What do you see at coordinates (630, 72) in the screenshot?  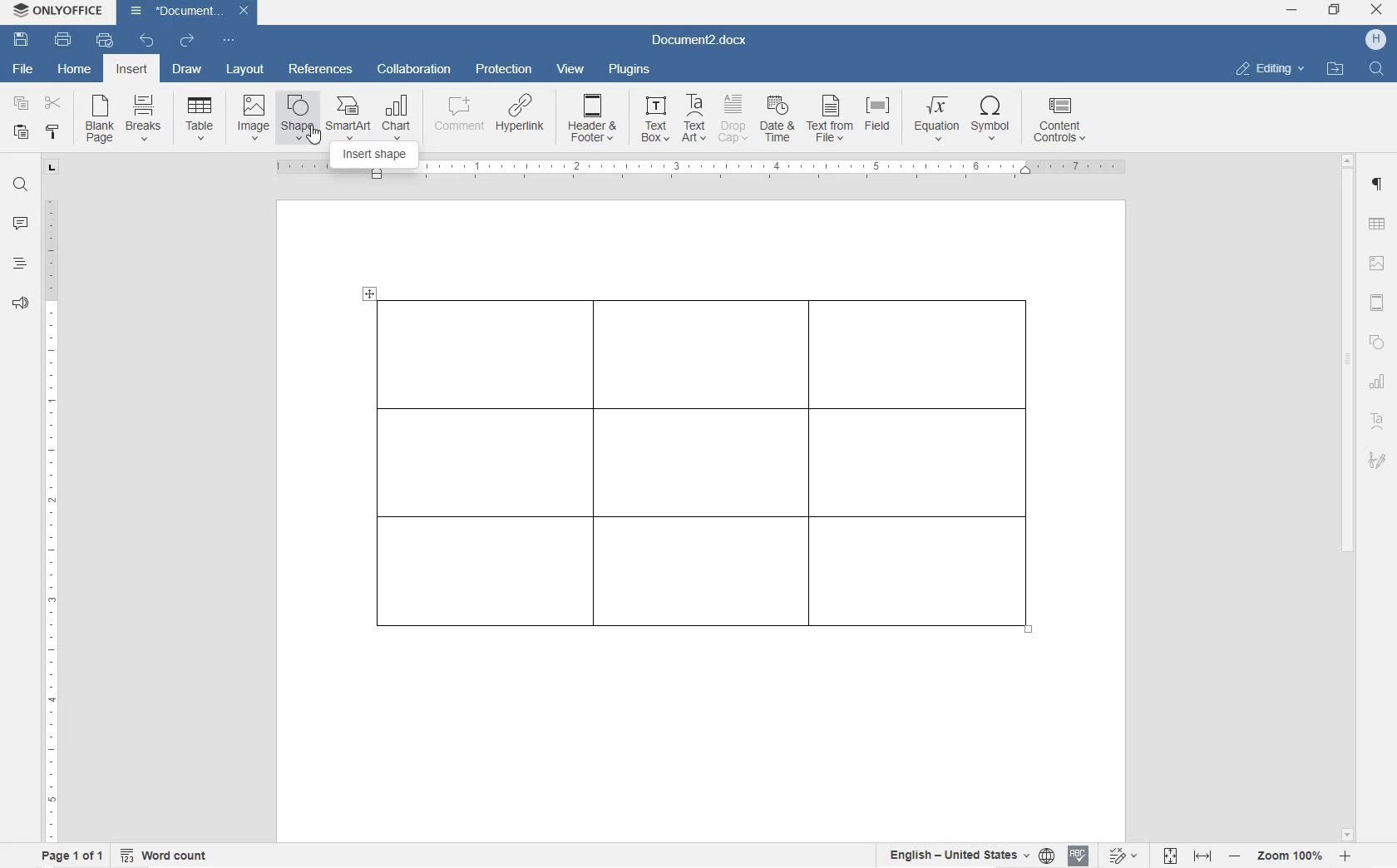 I see `plugins` at bounding box center [630, 72].